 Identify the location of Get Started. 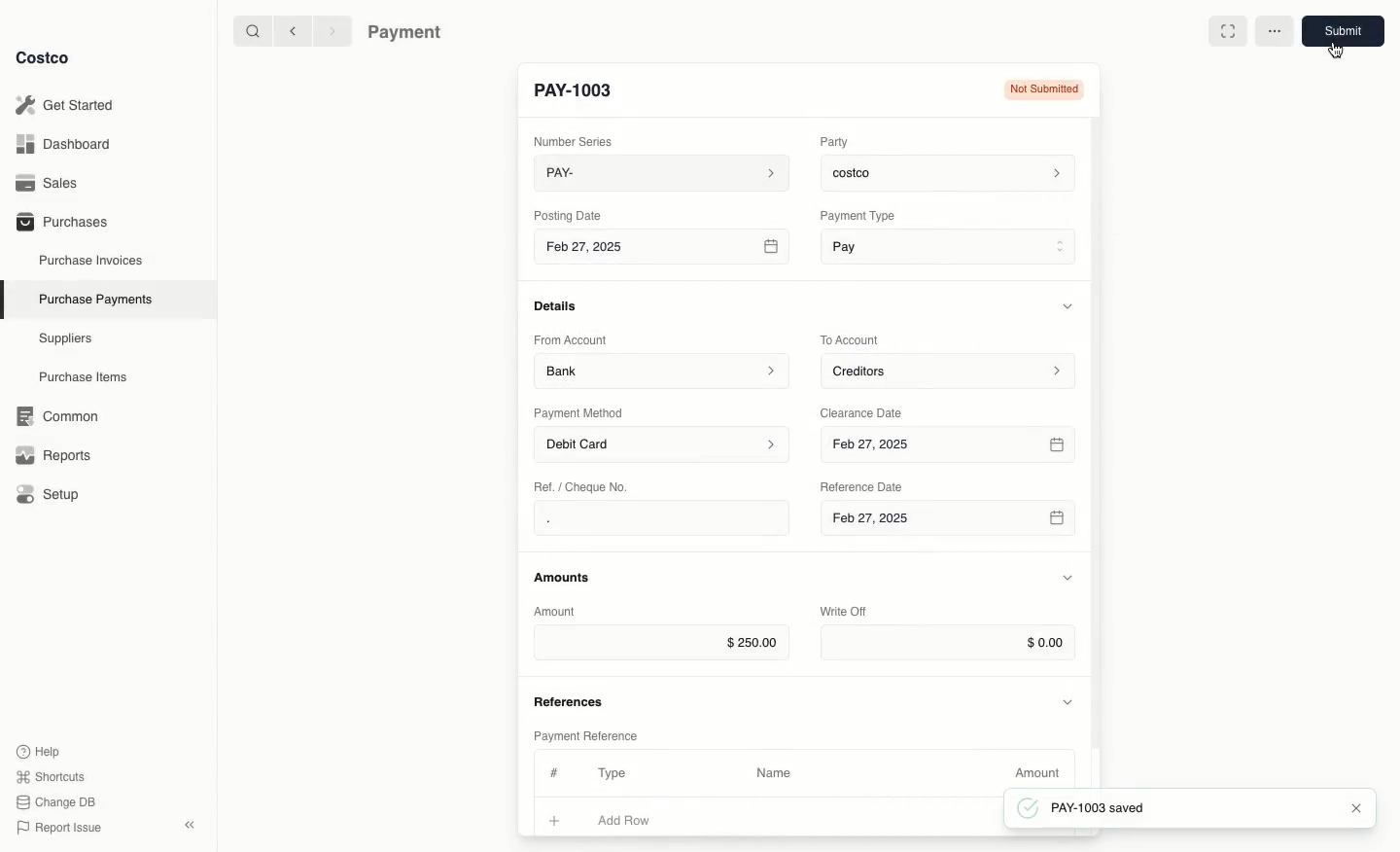
(69, 105).